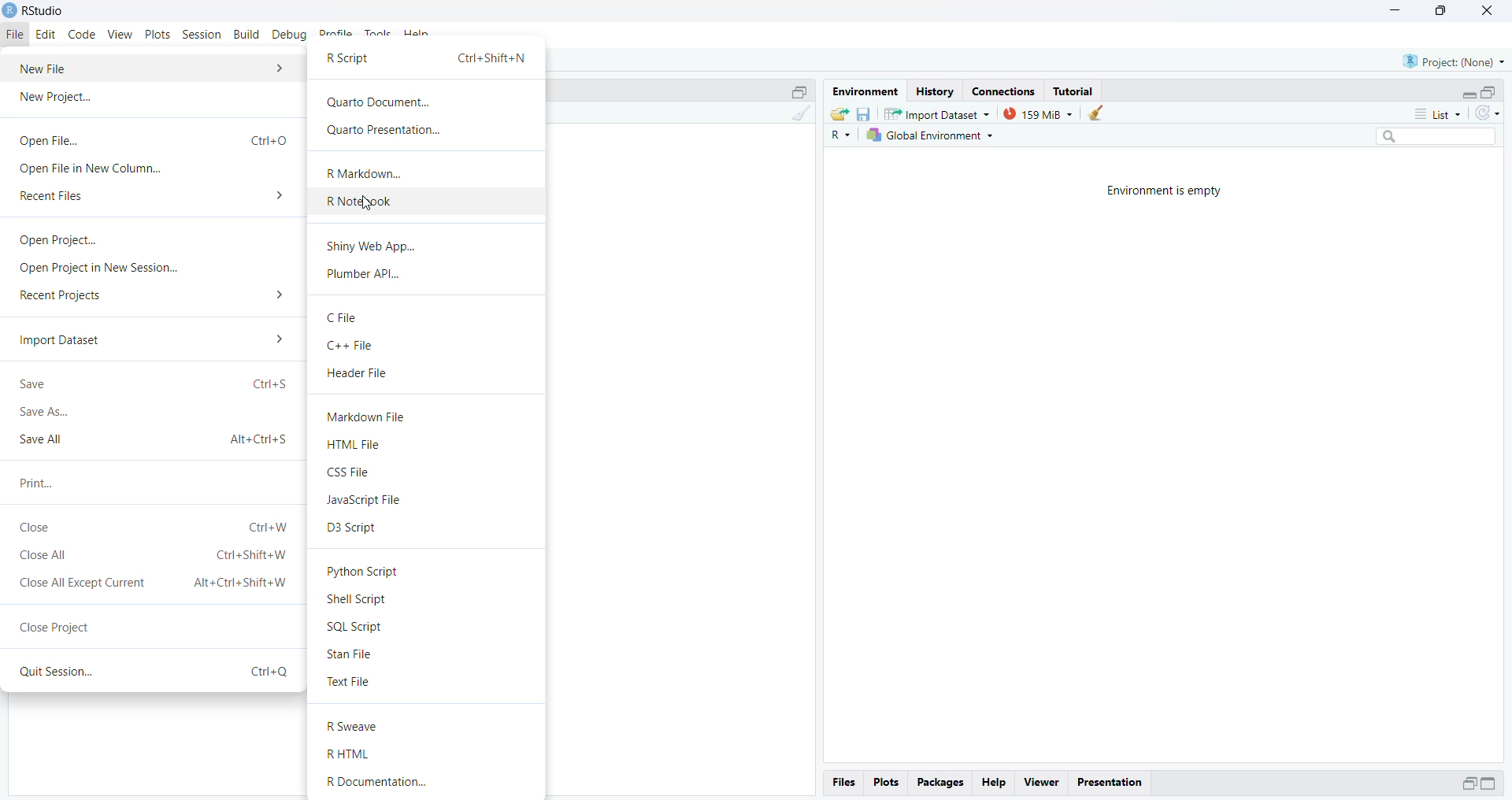  Describe the element at coordinates (367, 204) in the screenshot. I see `cursor` at that location.